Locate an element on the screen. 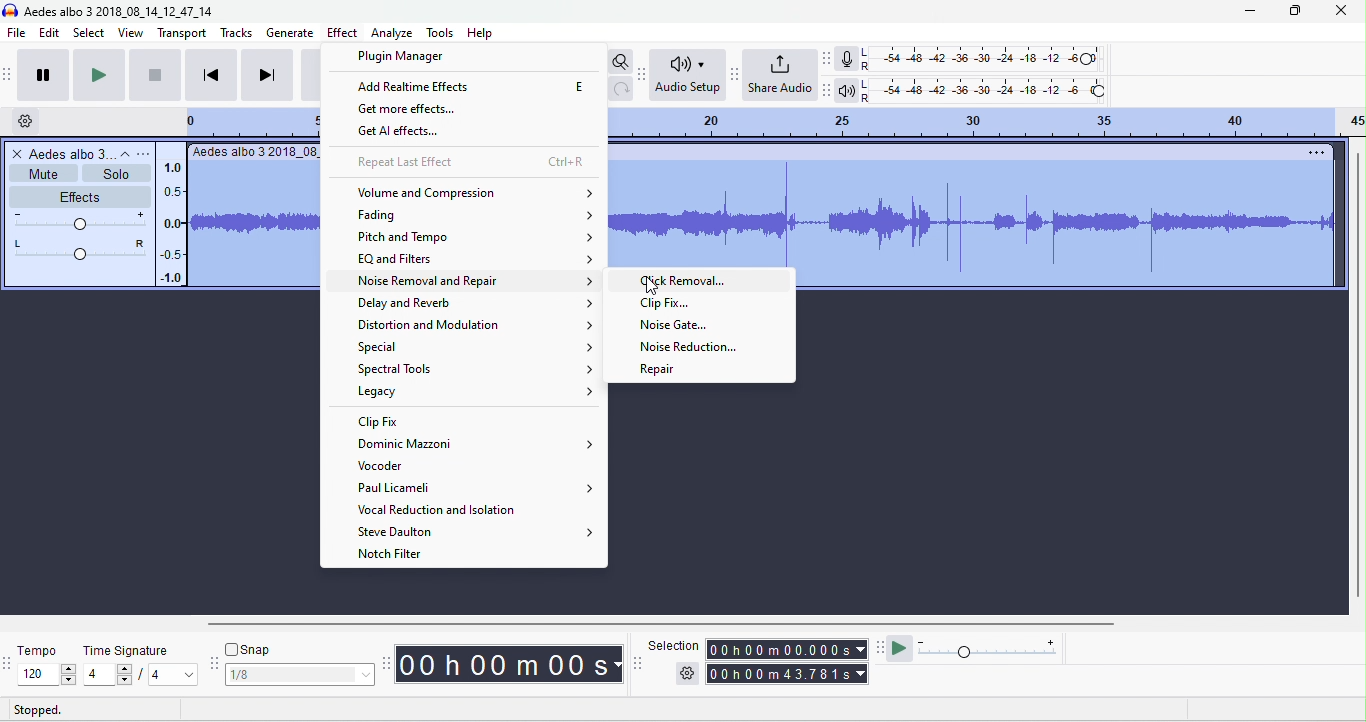  select is located at coordinates (90, 33).